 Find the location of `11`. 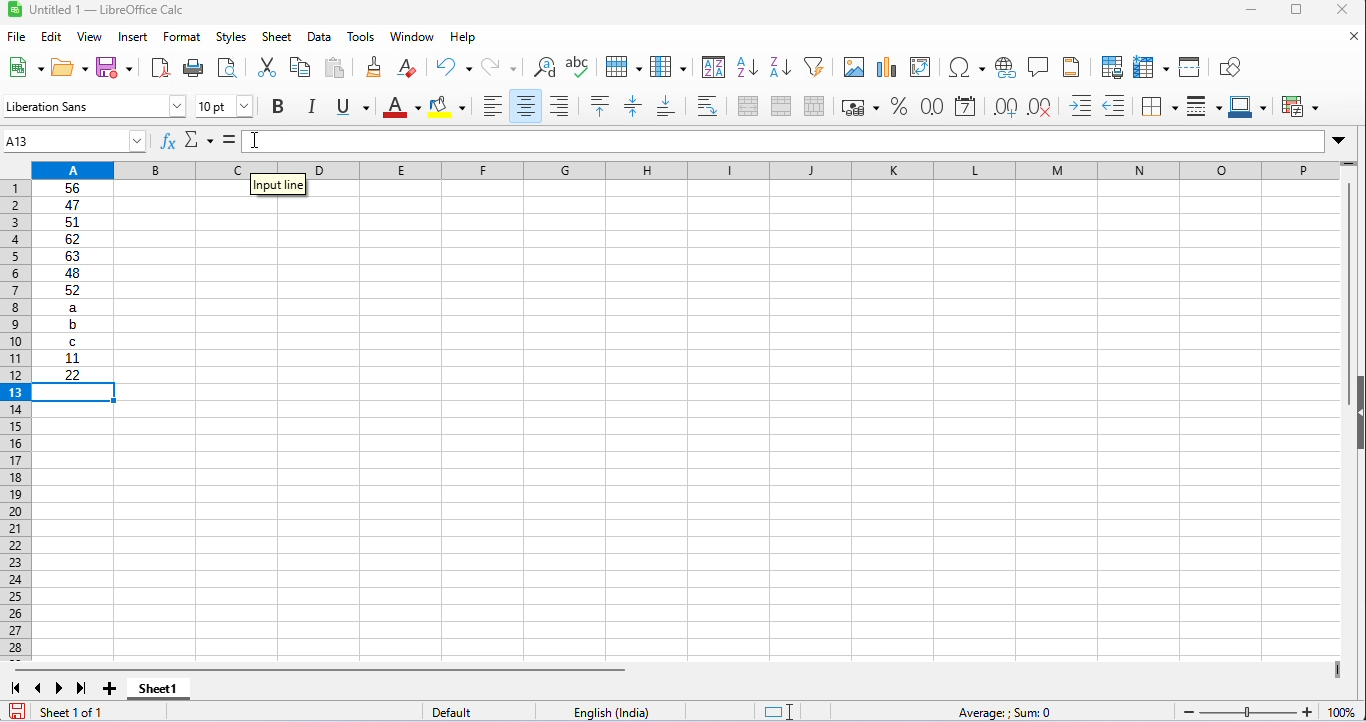

11 is located at coordinates (72, 358).